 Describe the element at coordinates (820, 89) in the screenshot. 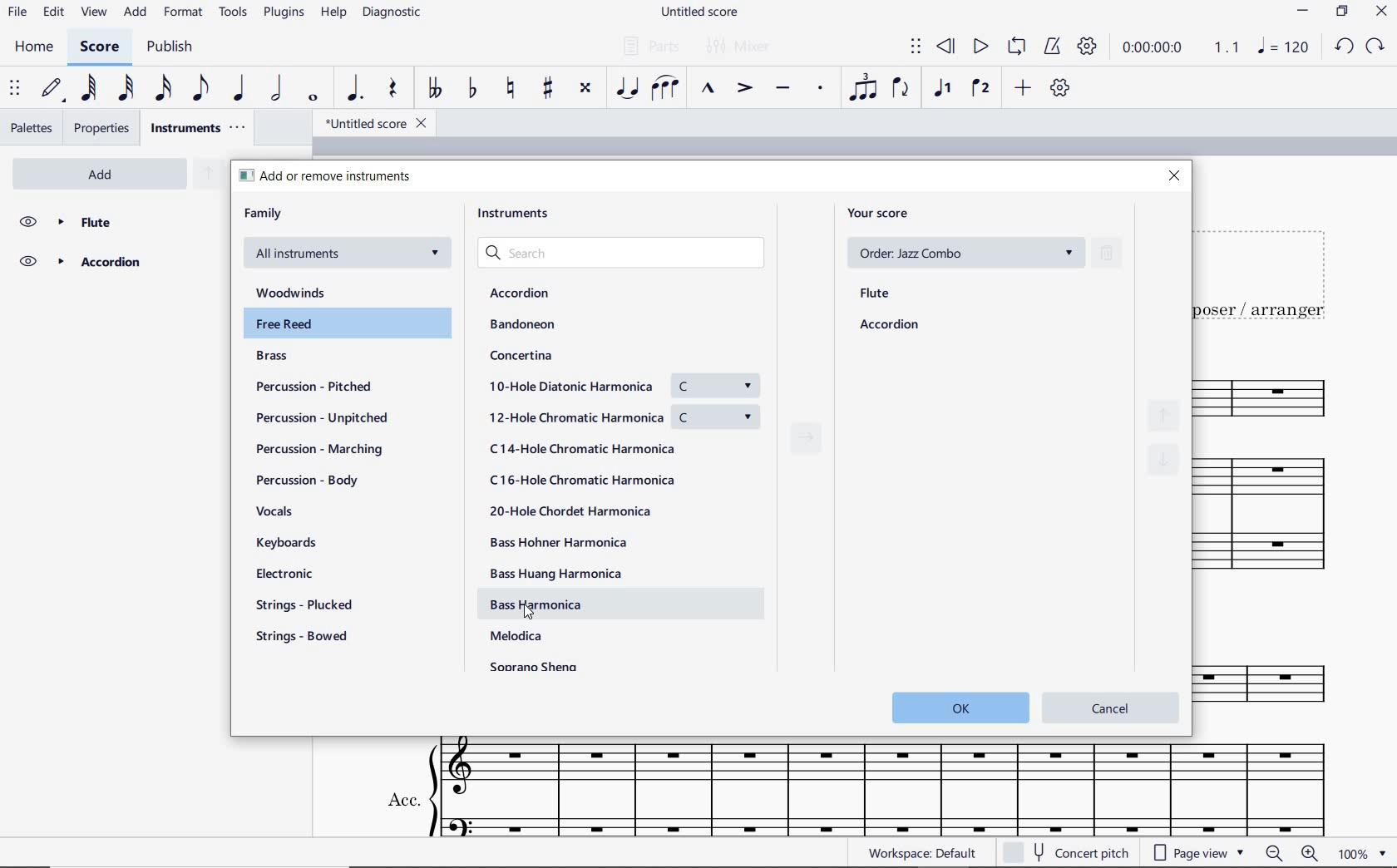

I see `staccato` at that location.